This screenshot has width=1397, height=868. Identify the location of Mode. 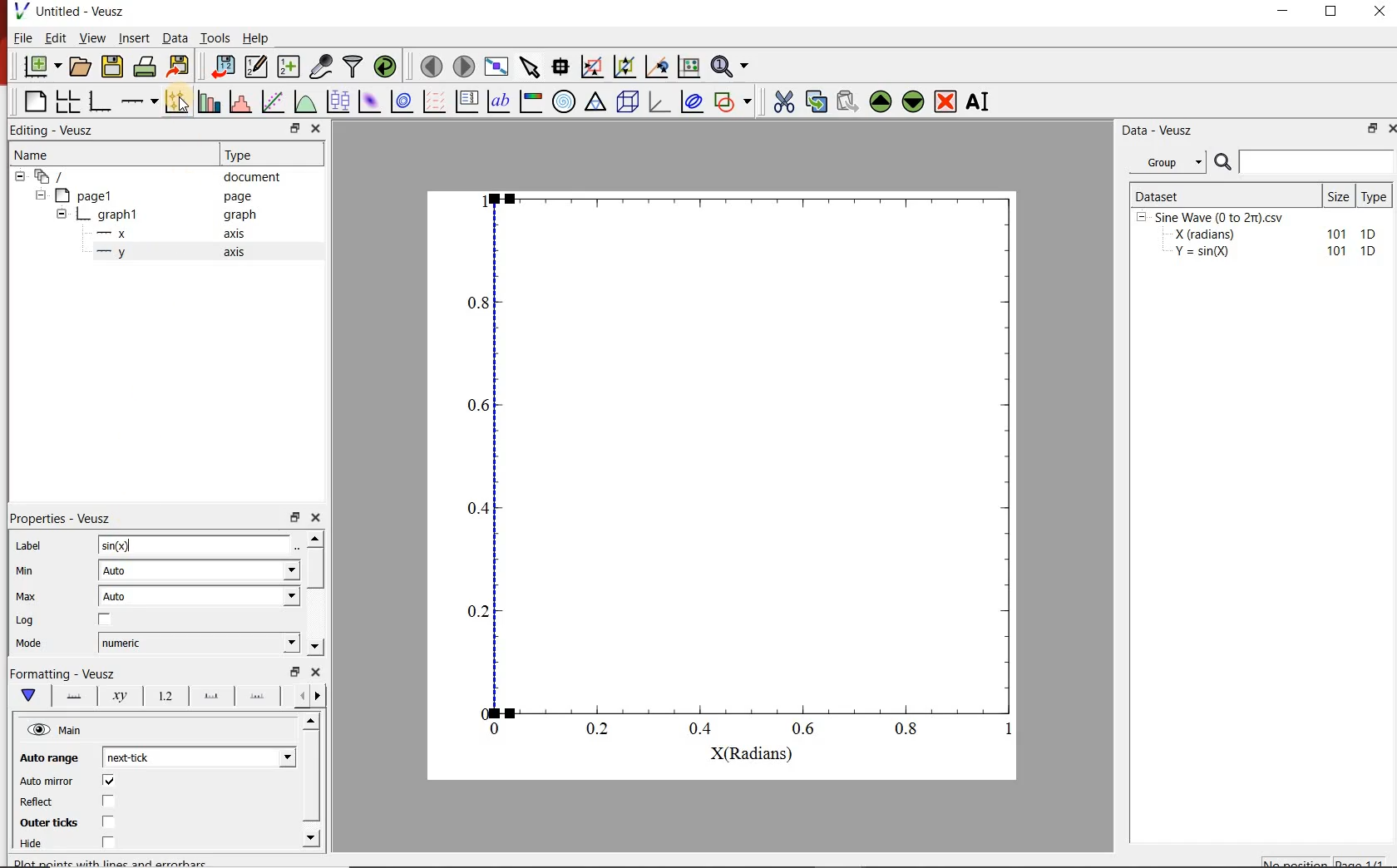
(29, 644).